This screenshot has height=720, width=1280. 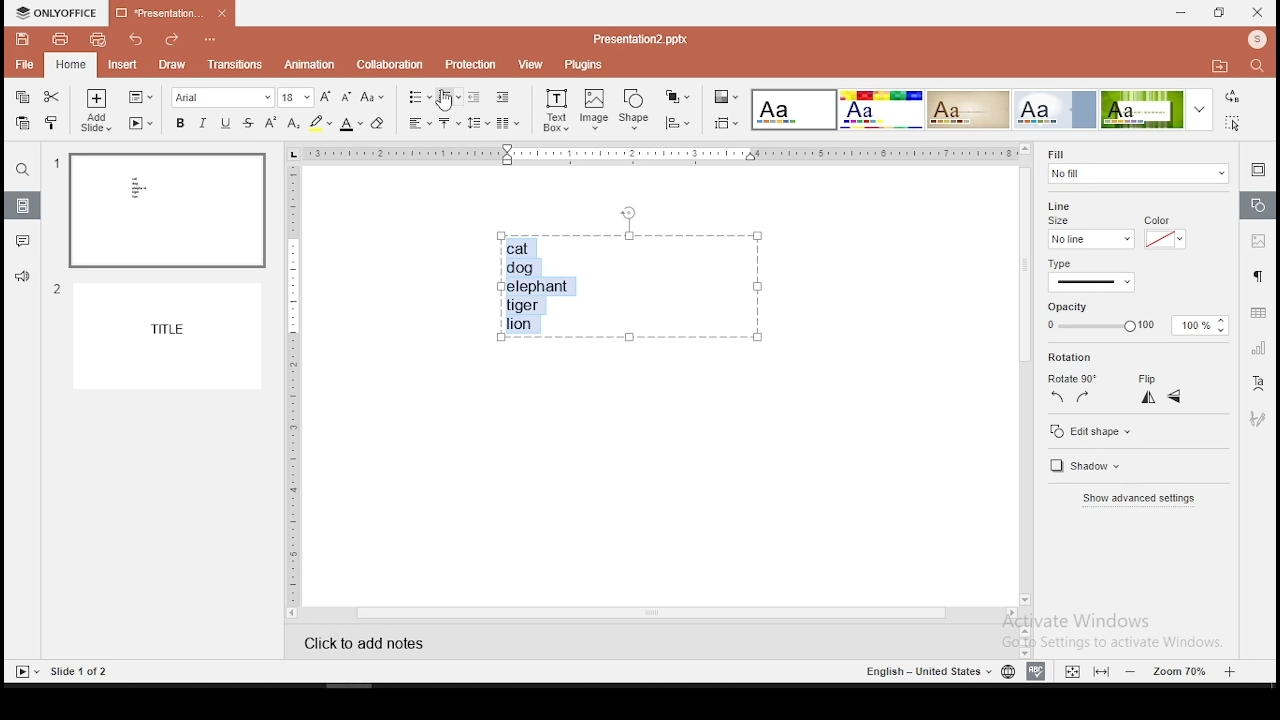 I want to click on animation, so click(x=308, y=64).